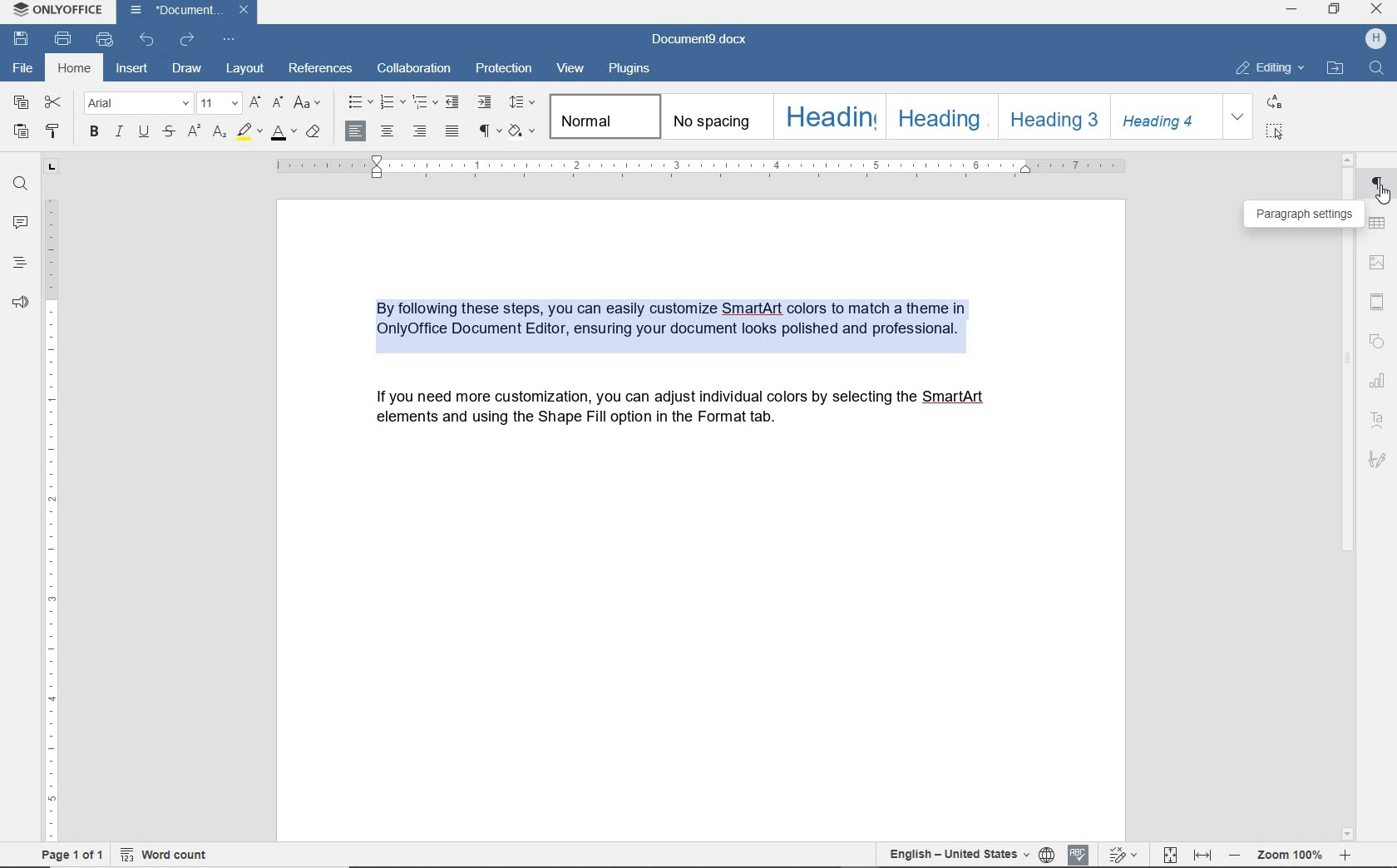  What do you see at coordinates (1270, 68) in the screenshot?
I see `editing` at bounding box center [1270, 68].